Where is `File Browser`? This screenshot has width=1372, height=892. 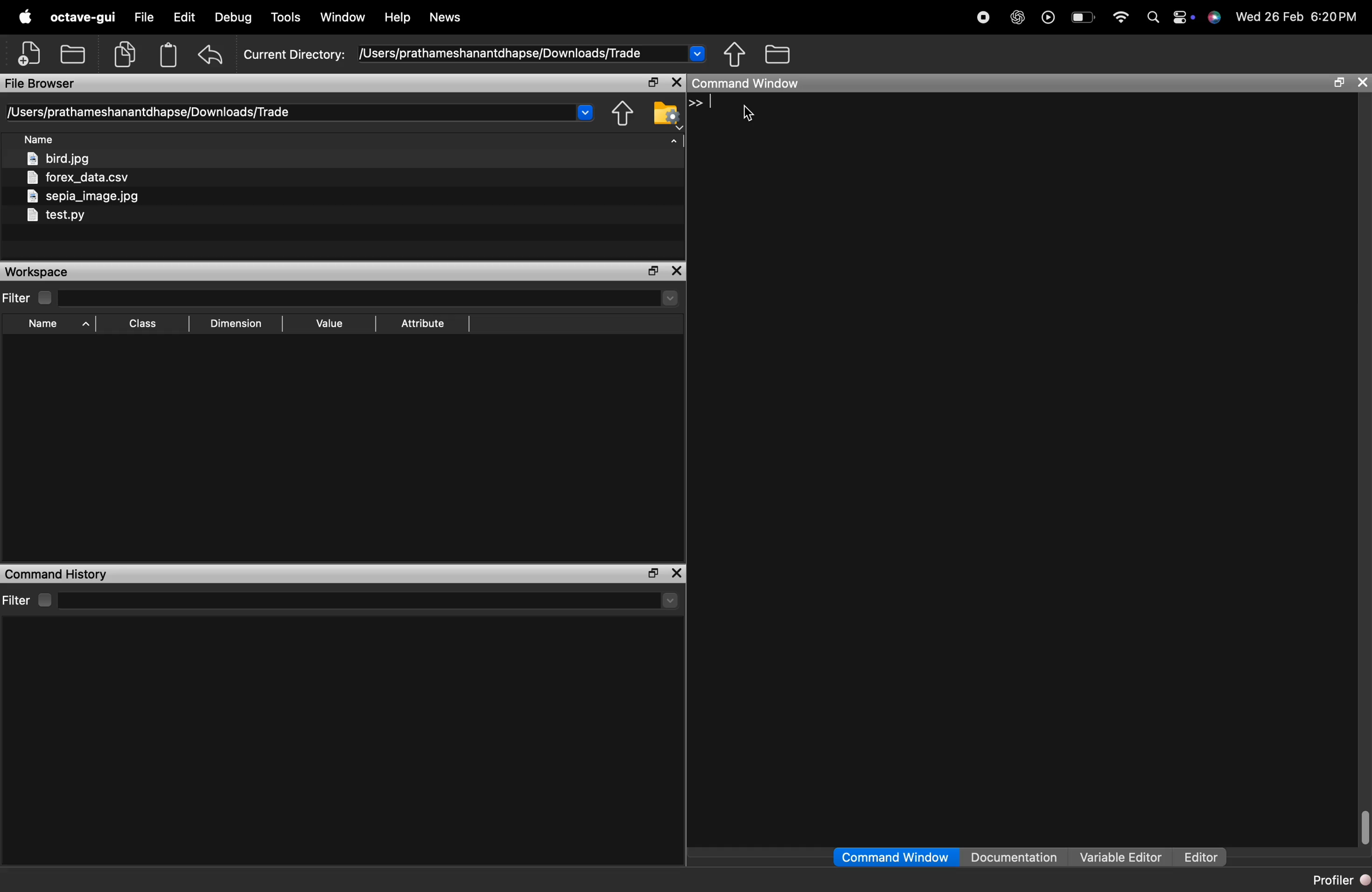 File Browser is located at coordinates (41, 84).